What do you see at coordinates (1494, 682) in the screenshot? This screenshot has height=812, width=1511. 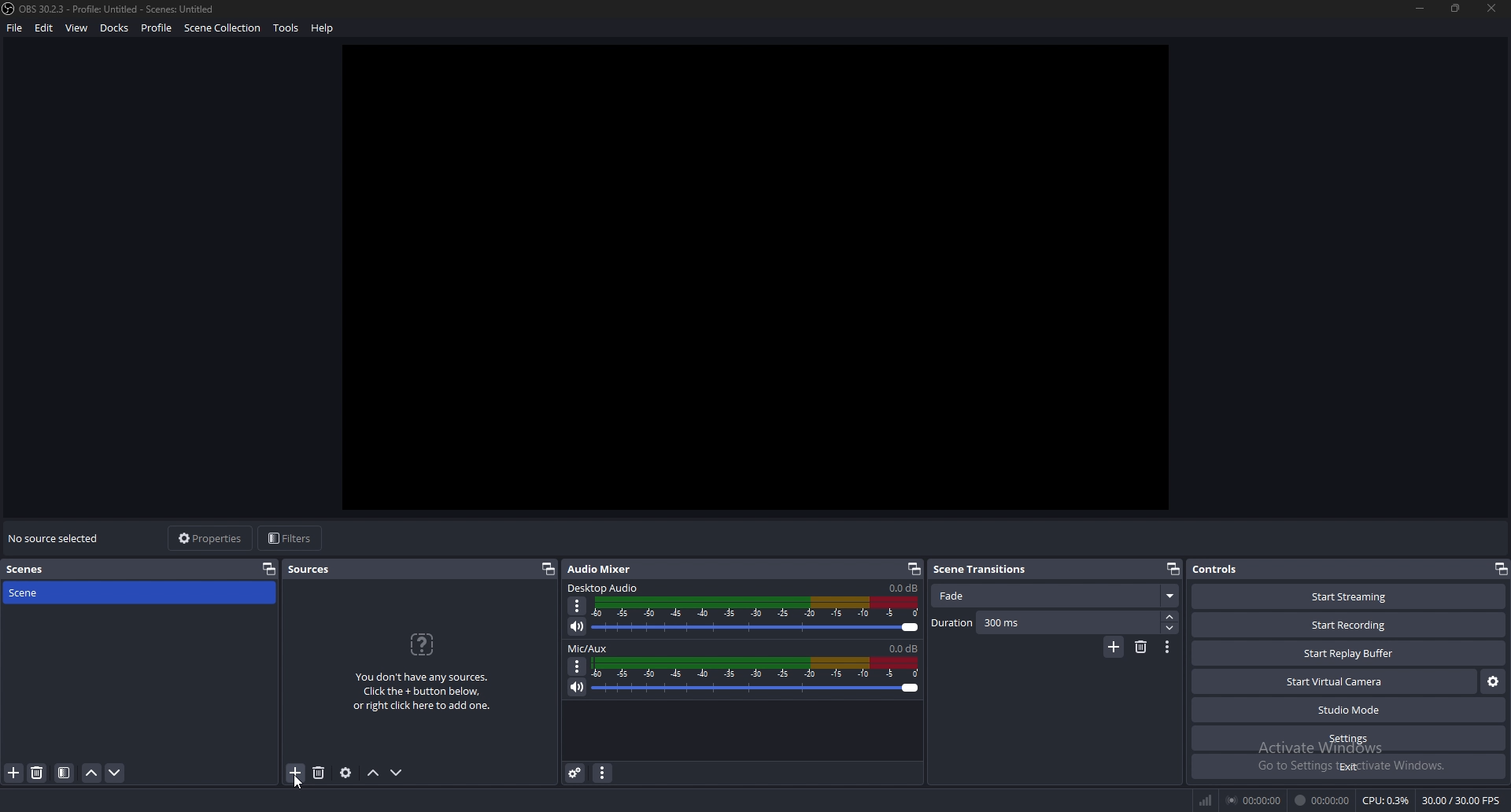 I see `configure virtual camera` at bounding box center [1494, 682].